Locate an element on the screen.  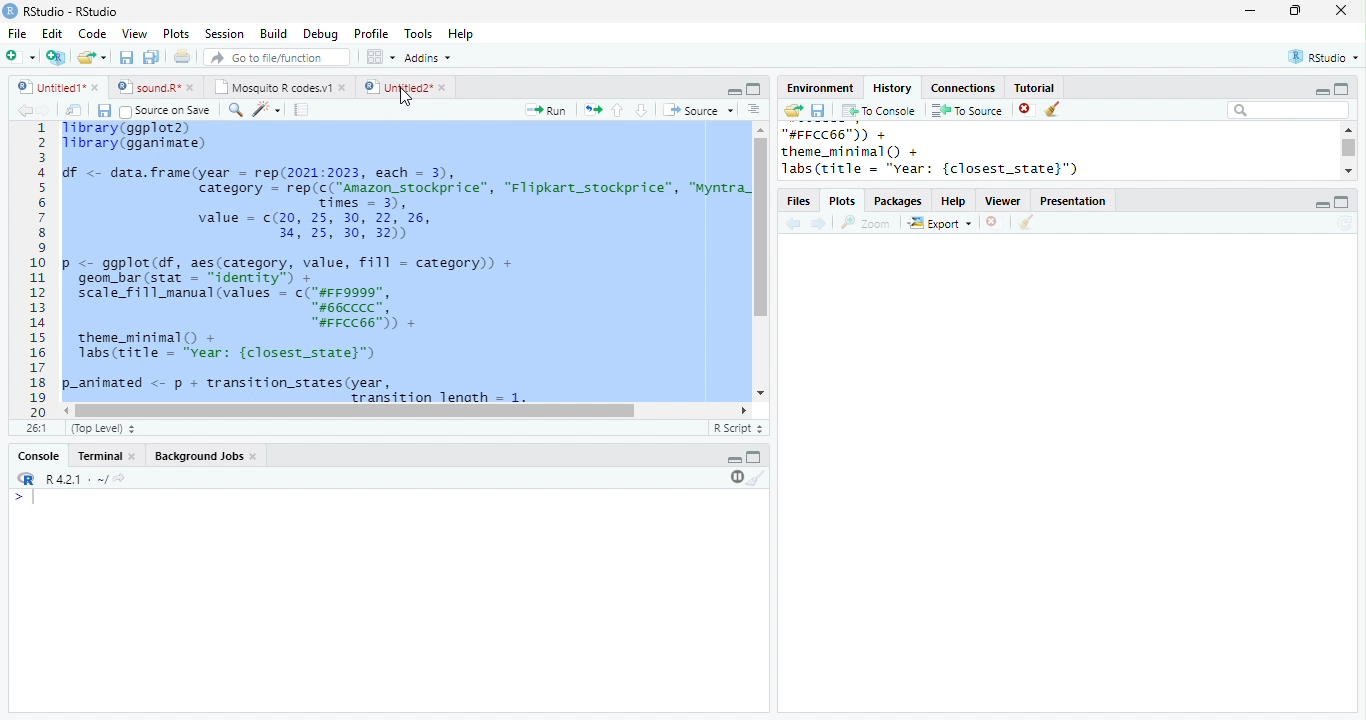
compile report is located at coordinates (302, 111).